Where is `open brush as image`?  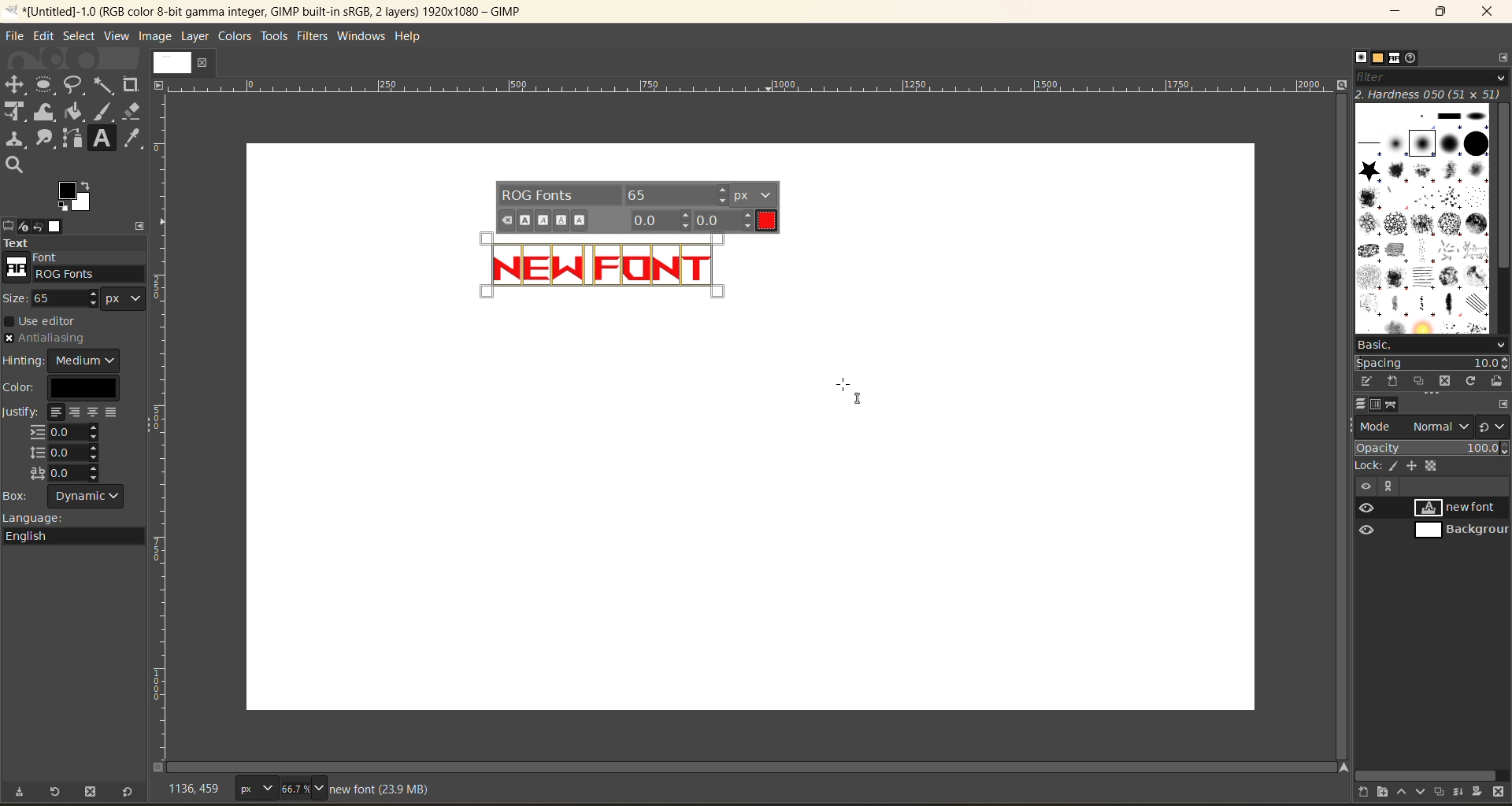 open brush as image is located at coordinates (1499, 383).